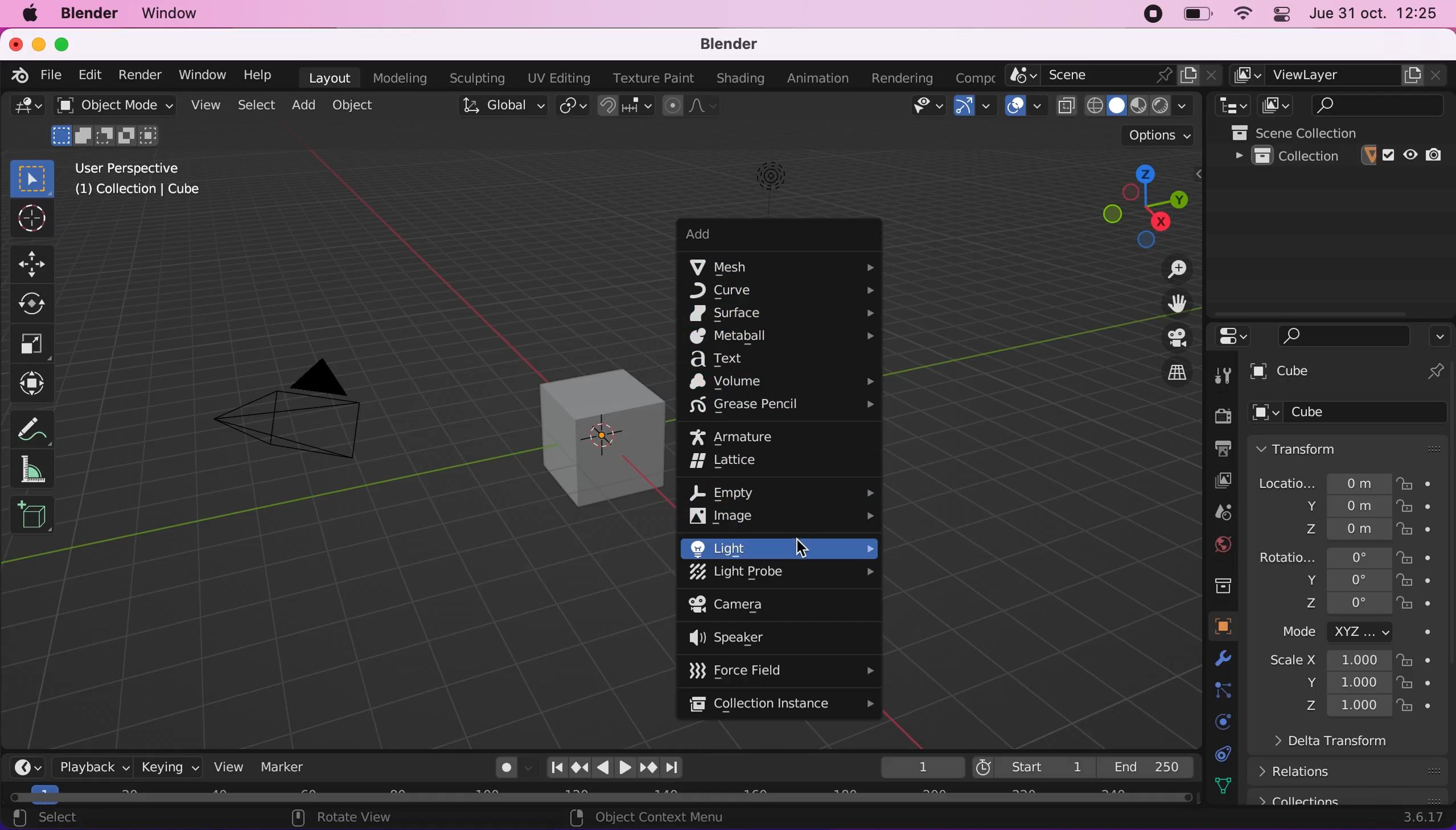 The height and width of the screenshot is (830, 1456). Describe the element at coordinates (1428, 508) in the screenshot. I see `lock` at that location.